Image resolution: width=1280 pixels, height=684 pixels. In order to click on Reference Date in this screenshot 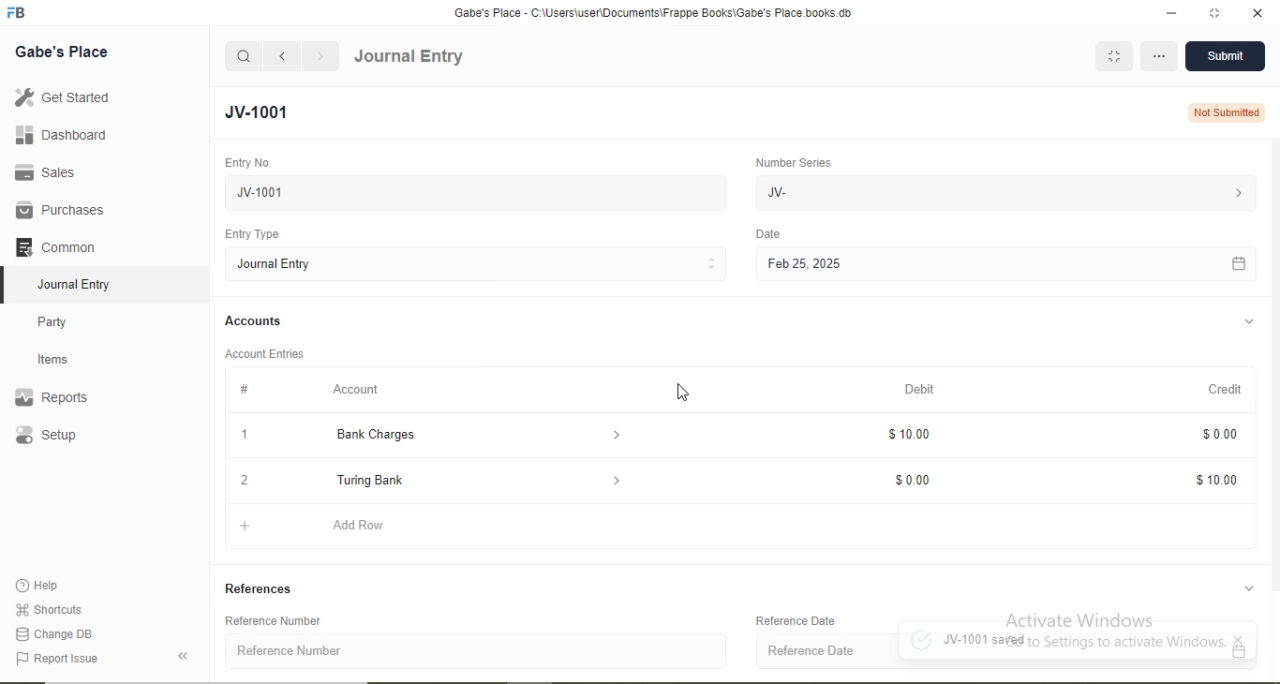, I will do `click(801, 620)`.